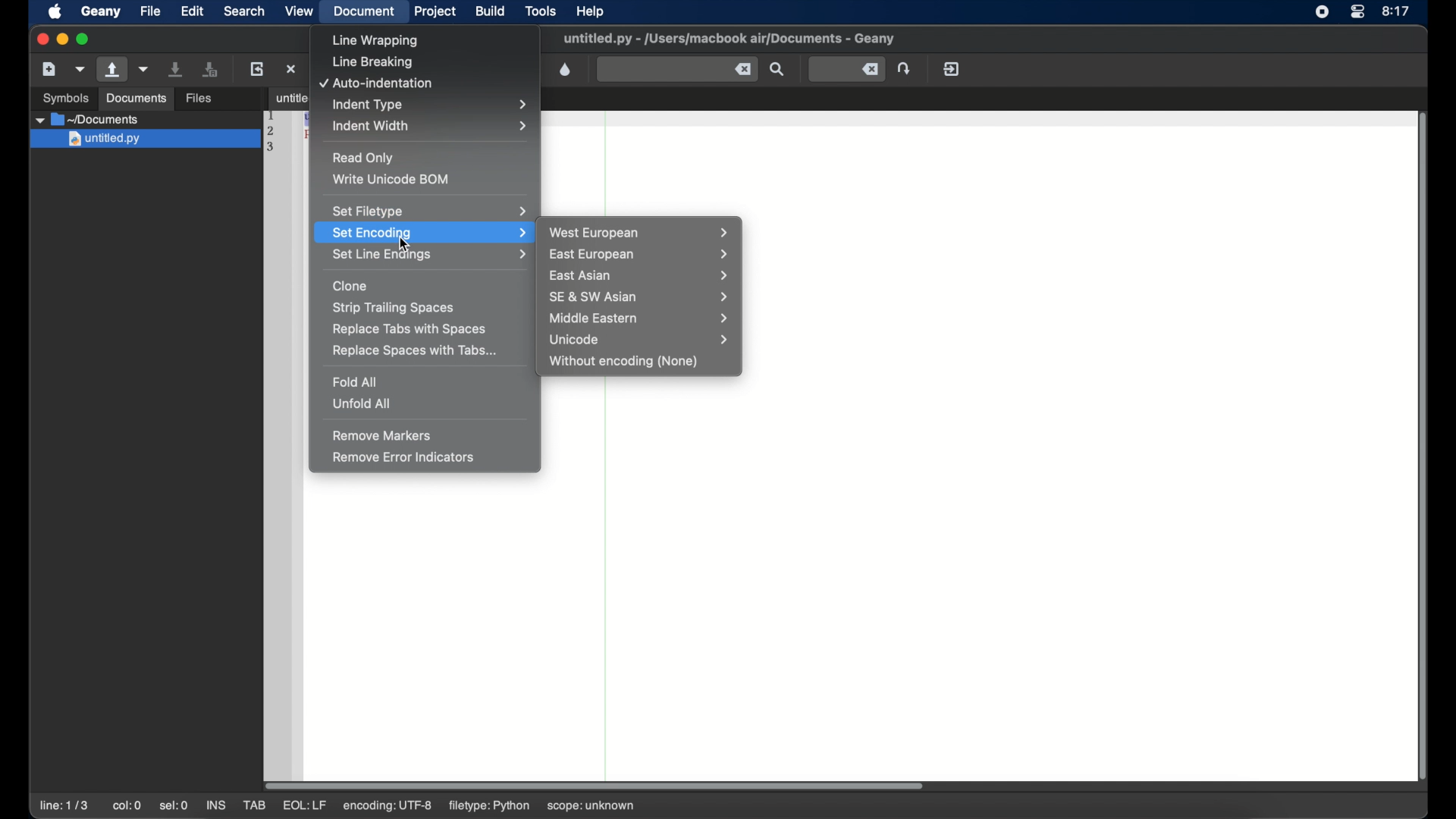  What do you see at coordinates (640, 256) in the screenshot?
I see `east european menu` at bounding box center [640, 256].